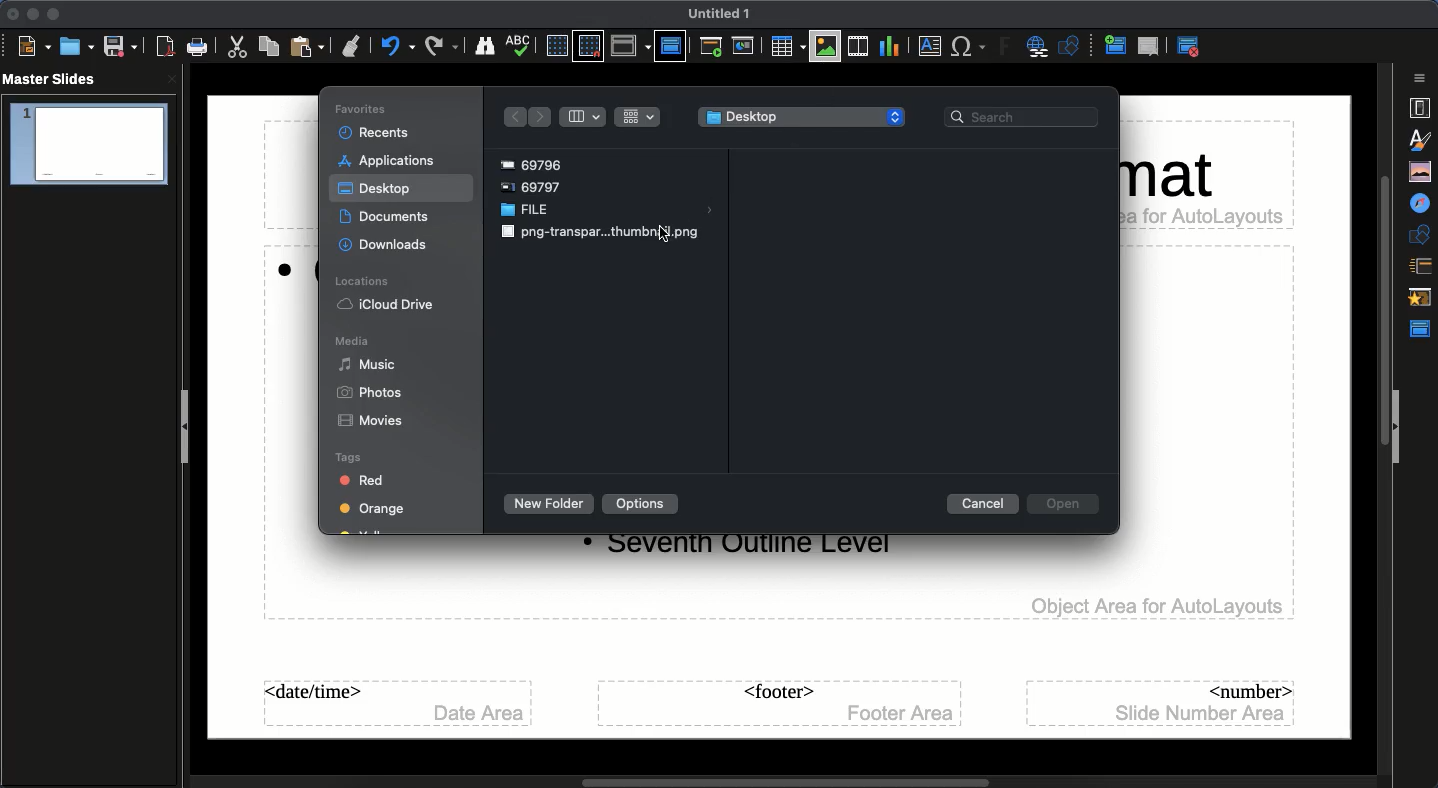 This screenshot has width=1438, height=788. Describe the element at coordinates (1379, 415) in the screenshot. I see `Scroll` at that location.